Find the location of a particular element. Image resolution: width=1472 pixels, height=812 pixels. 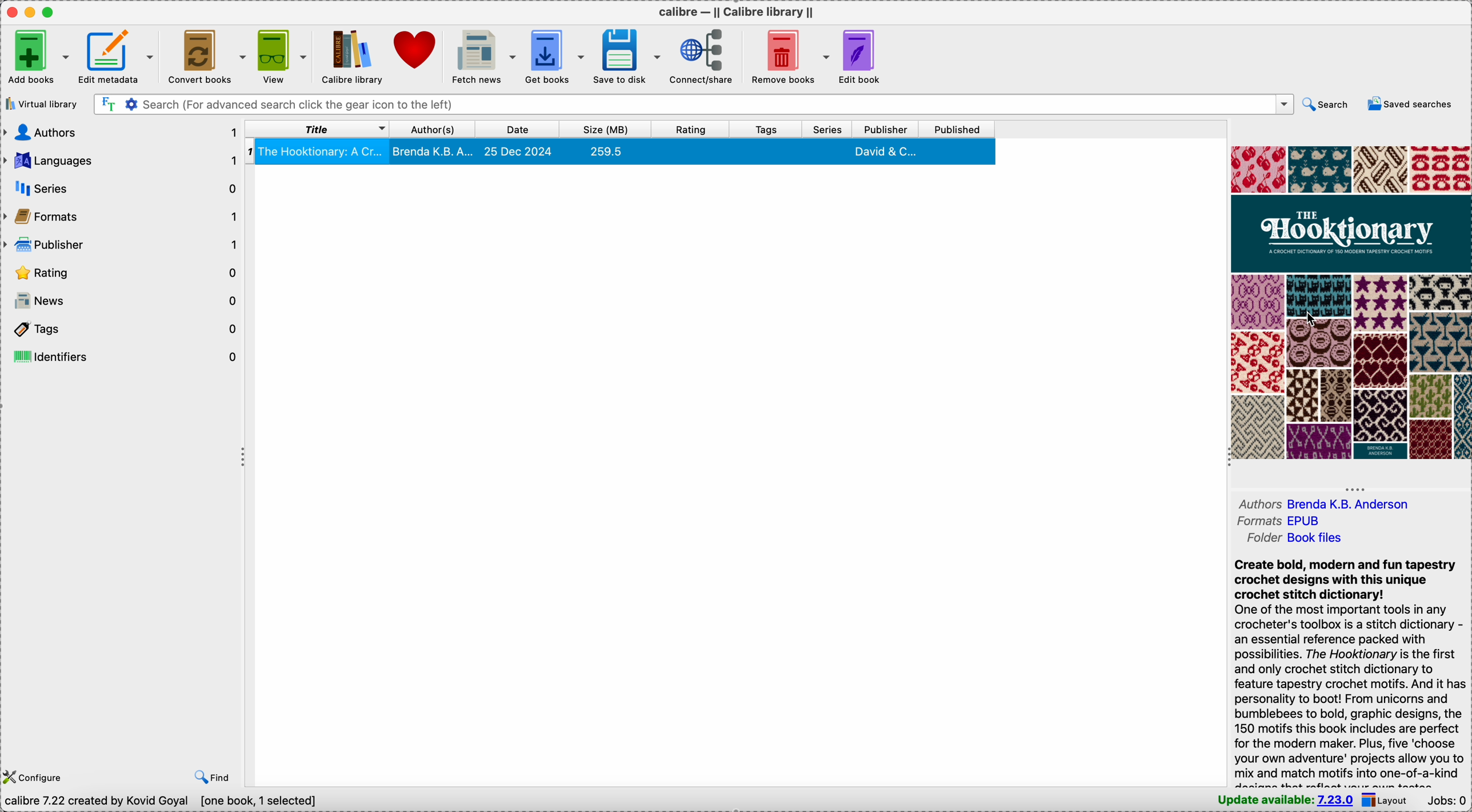

remove books is located at coordinates (791, 55).